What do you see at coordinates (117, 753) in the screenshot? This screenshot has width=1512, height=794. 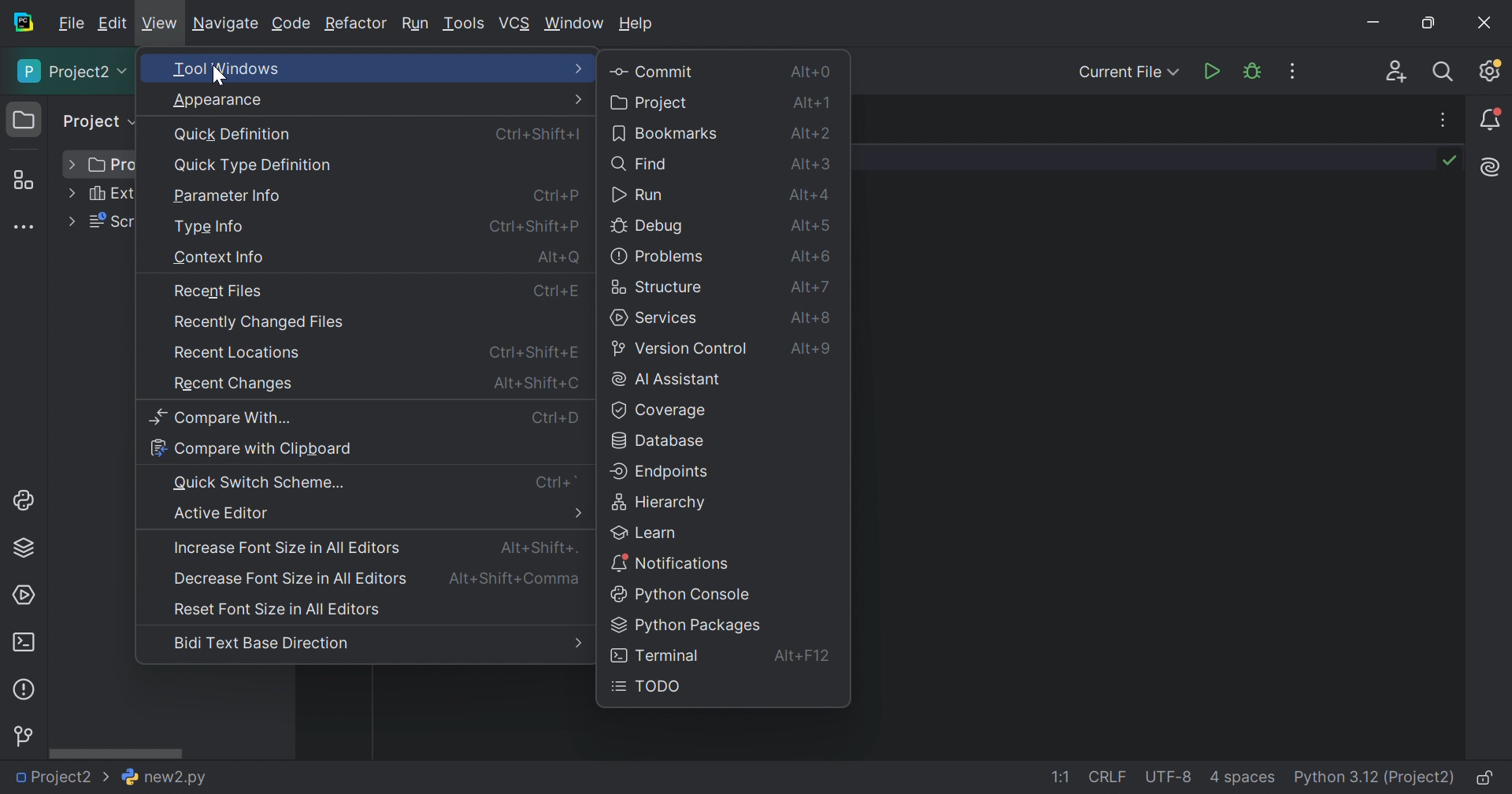 I see `Scroll bar` at bounding box center [117, 753].